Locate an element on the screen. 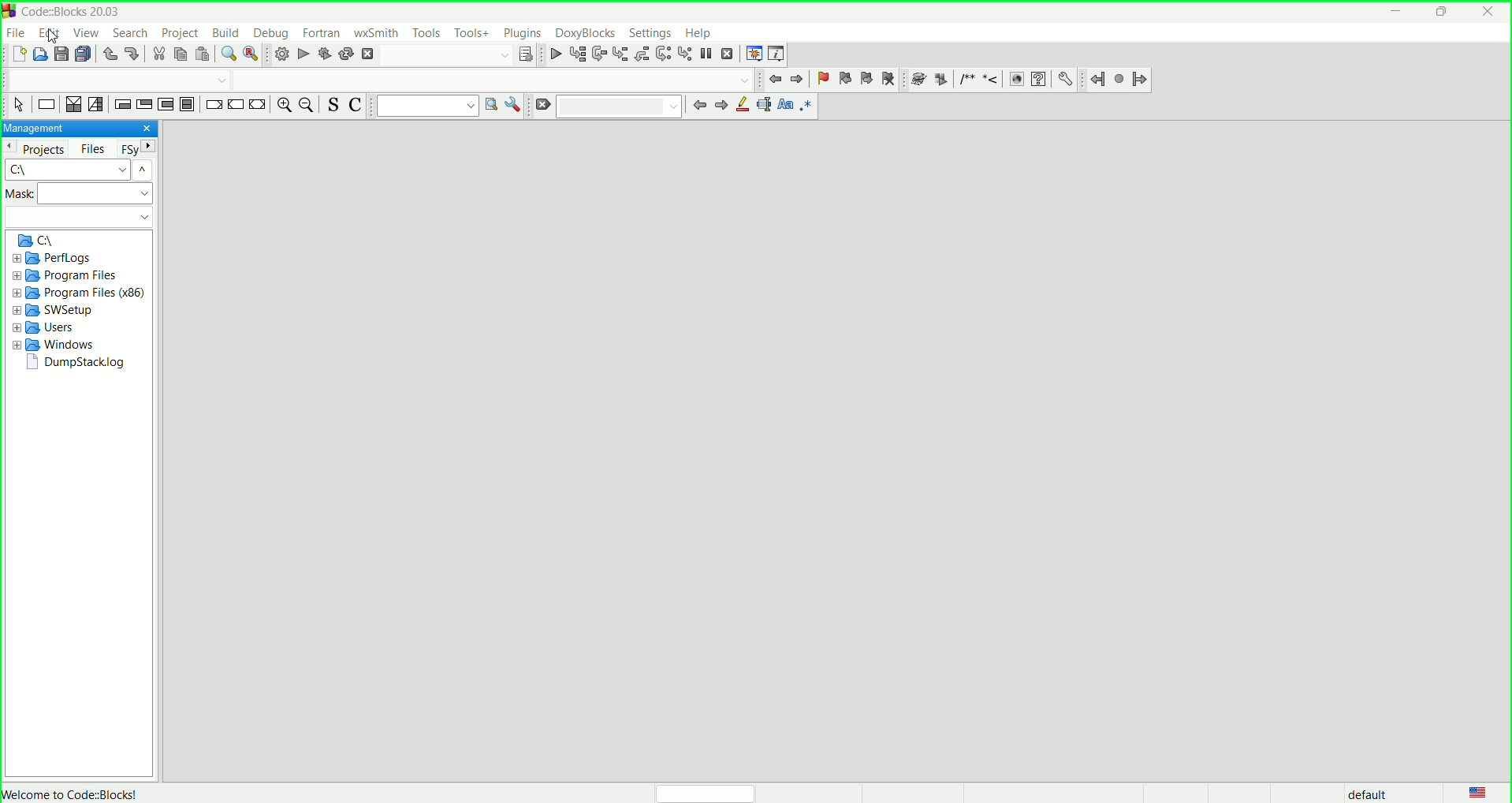 The width and height of the screenshot is (1512, 803). jump forward is located at coordinates (1139, 80).